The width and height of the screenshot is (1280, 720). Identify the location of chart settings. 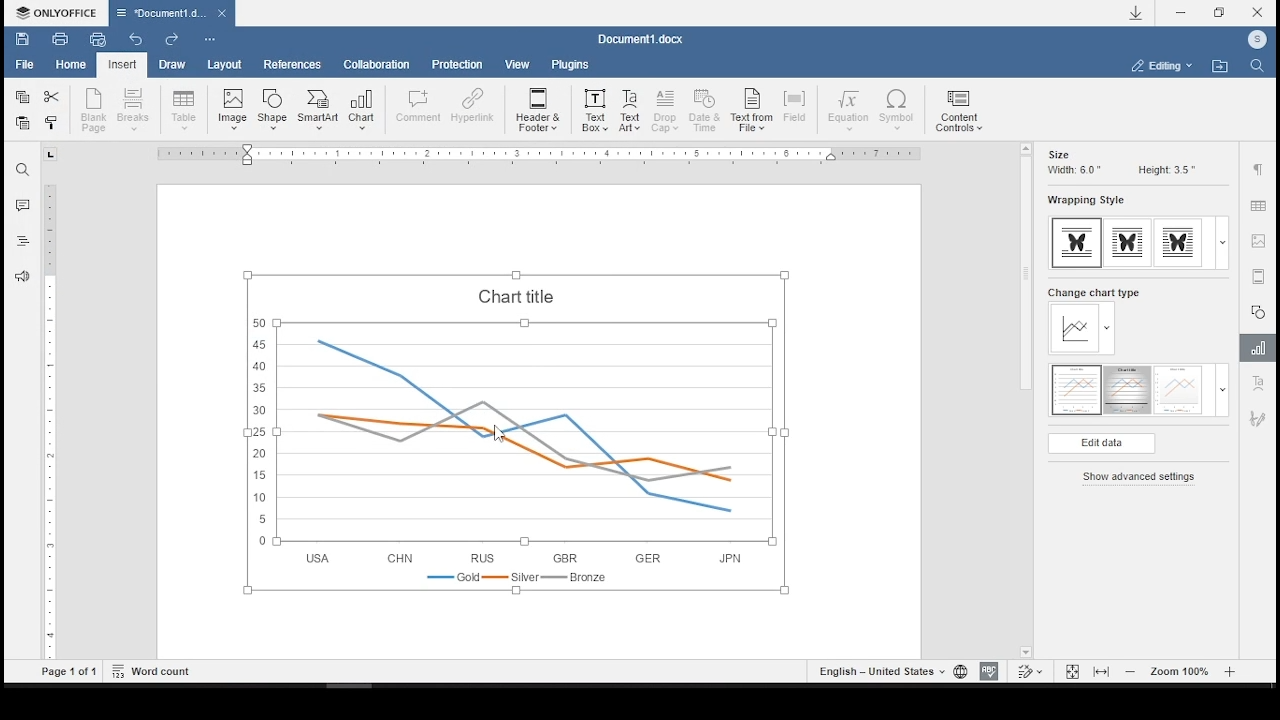
(1261, 350).